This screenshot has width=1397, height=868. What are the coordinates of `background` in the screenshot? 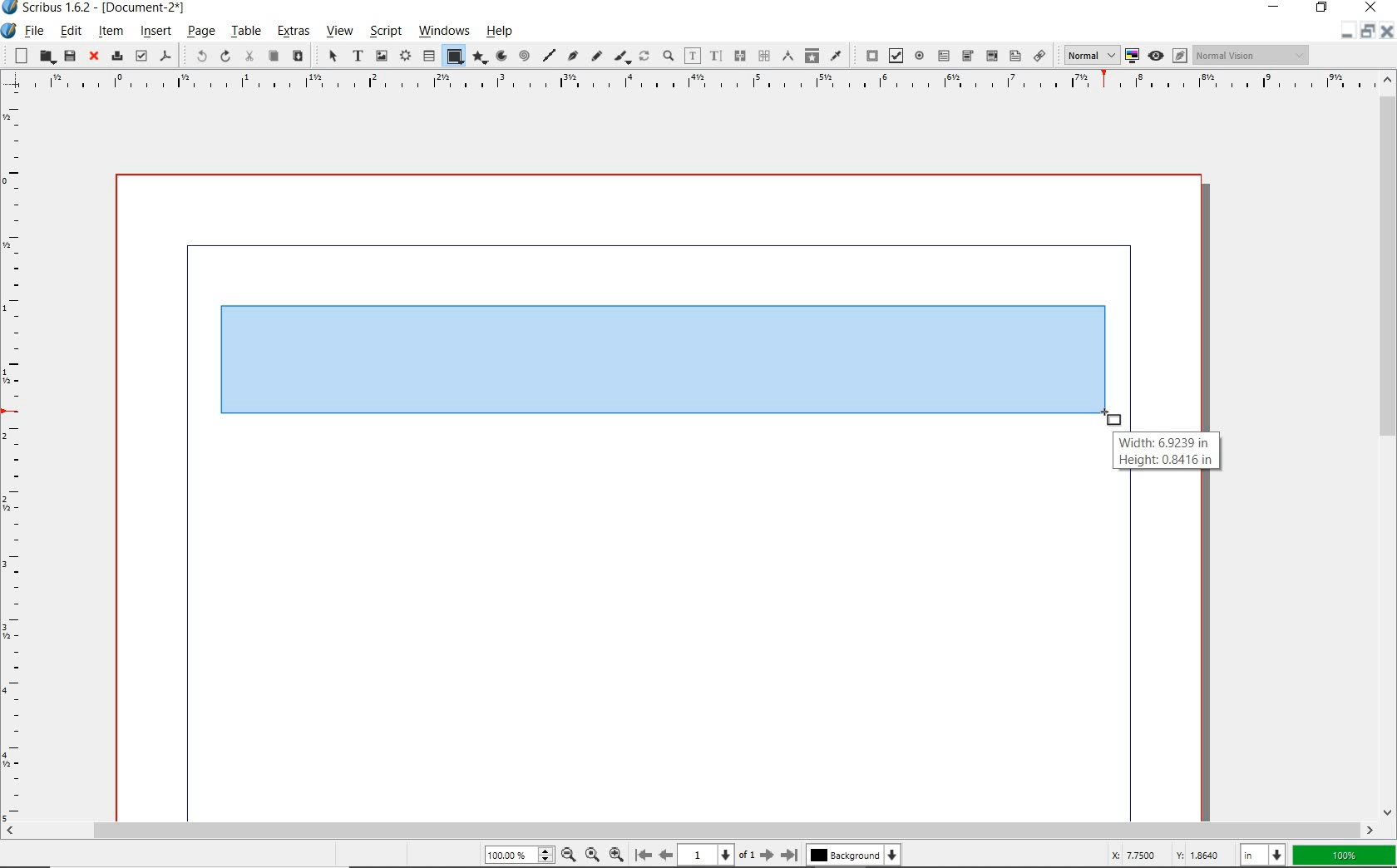 It's located at (856, 855).